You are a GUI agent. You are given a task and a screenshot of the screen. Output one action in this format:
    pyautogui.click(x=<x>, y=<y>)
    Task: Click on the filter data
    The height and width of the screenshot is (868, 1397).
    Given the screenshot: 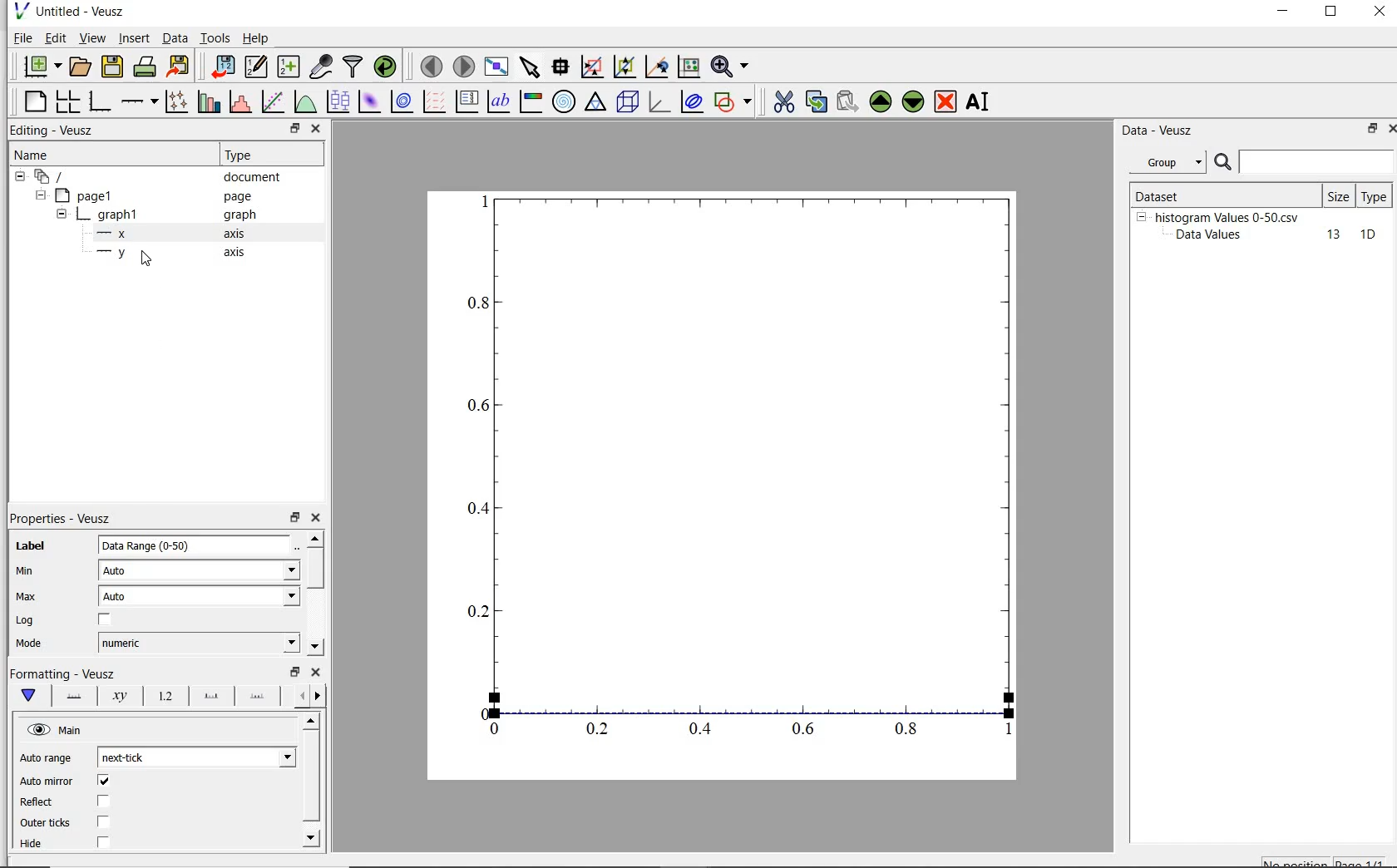 What is the action you would take?
    pyautogui.click(x=353, y=67)
    